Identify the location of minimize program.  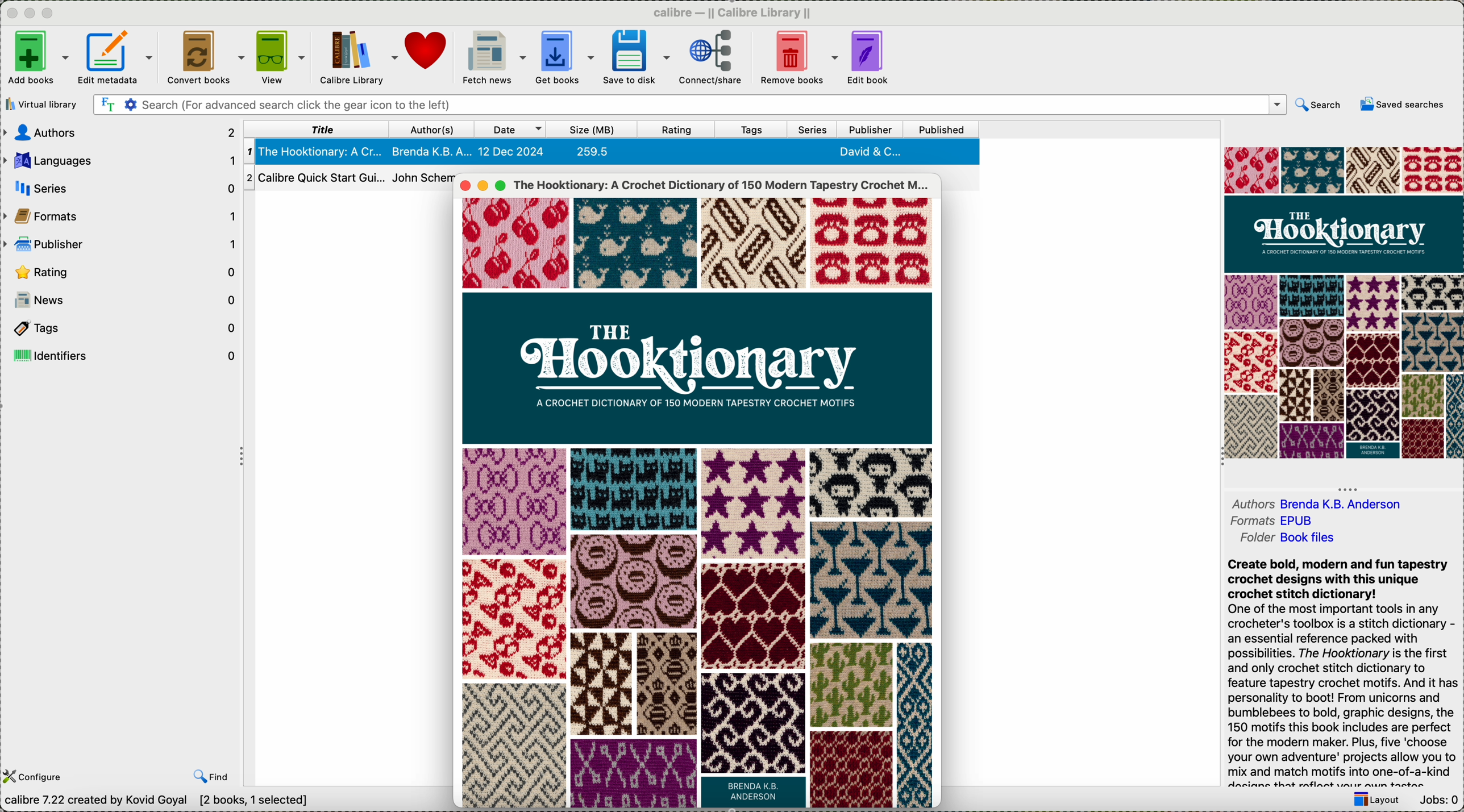
(32, 14).